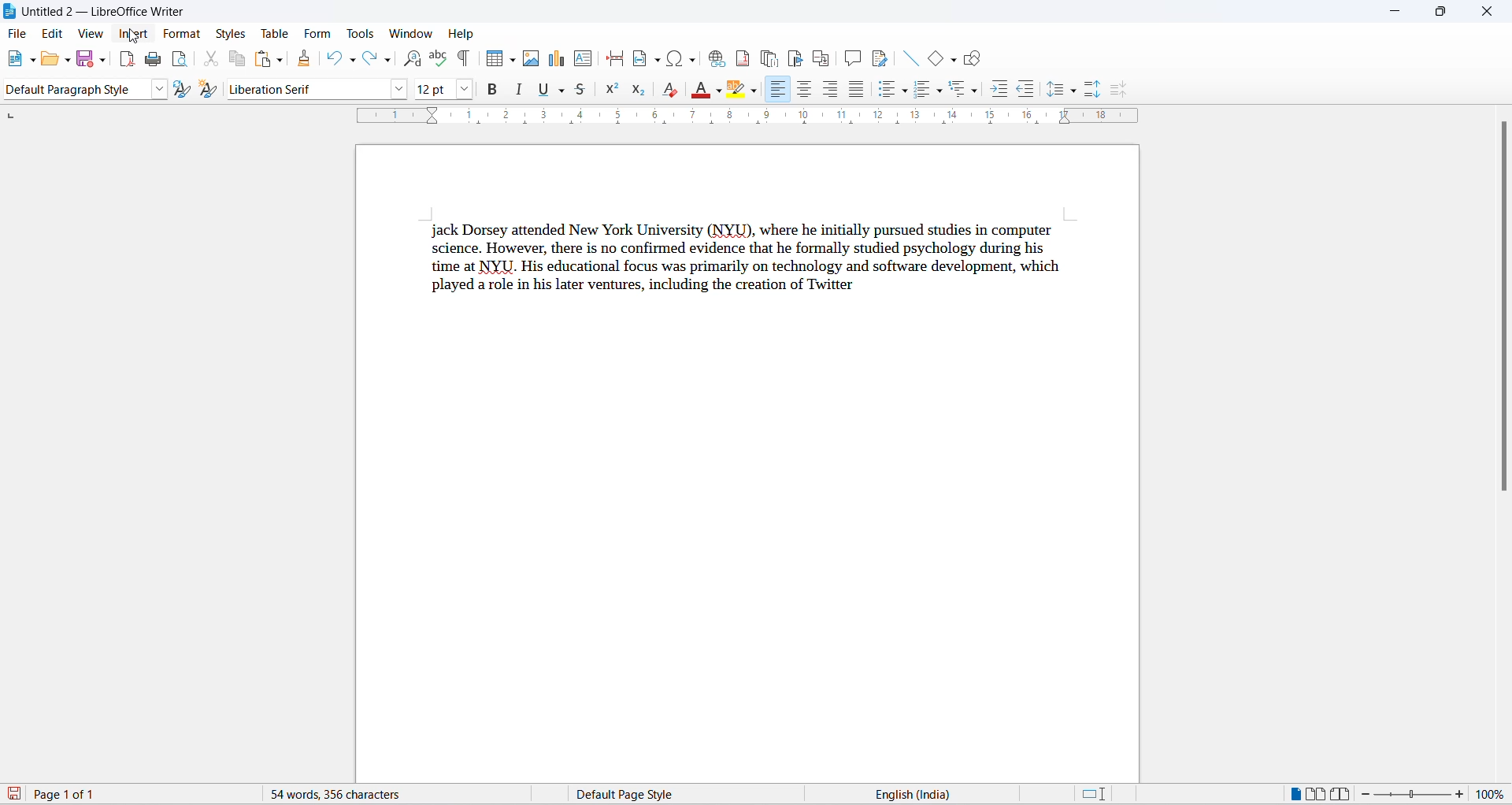 The image size is (1512, 805). Describe the element at coordinates (182, 89) in the screenshot. I see `update selected style` at that location.